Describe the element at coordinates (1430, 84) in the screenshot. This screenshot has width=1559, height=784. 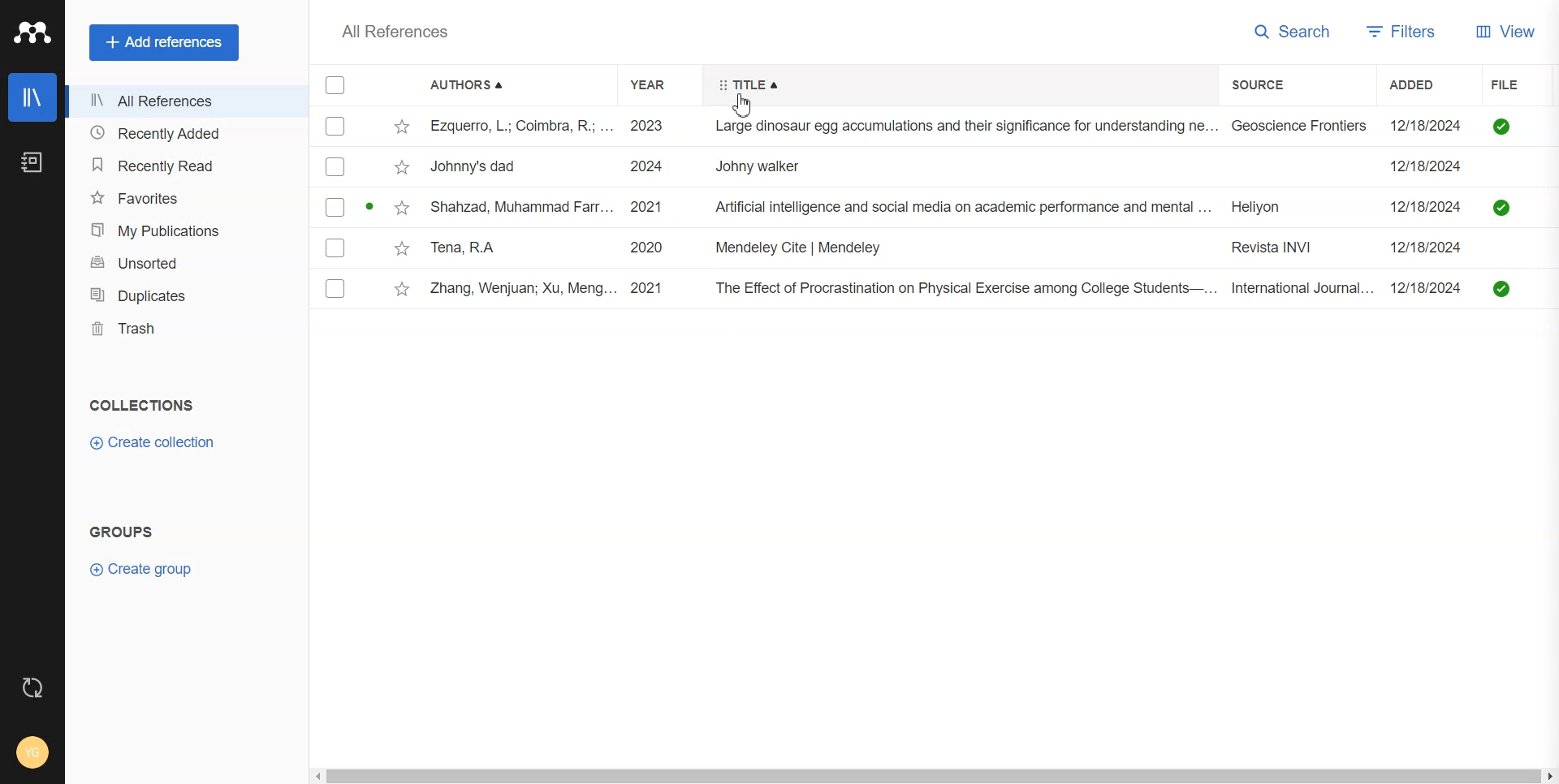
I see `Added` at that location.